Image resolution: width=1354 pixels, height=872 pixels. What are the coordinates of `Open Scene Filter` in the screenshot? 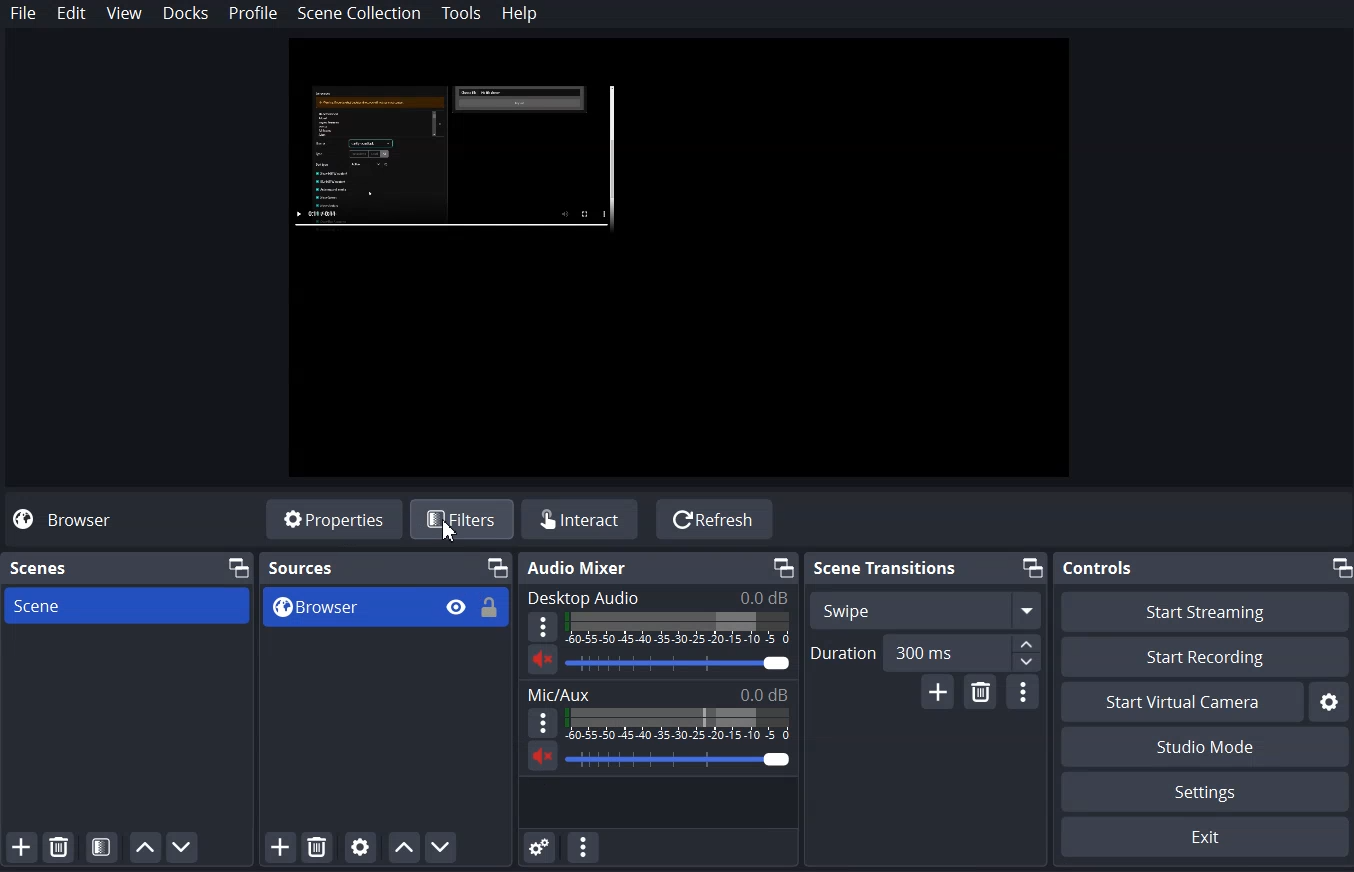 It's located at (101, 847).